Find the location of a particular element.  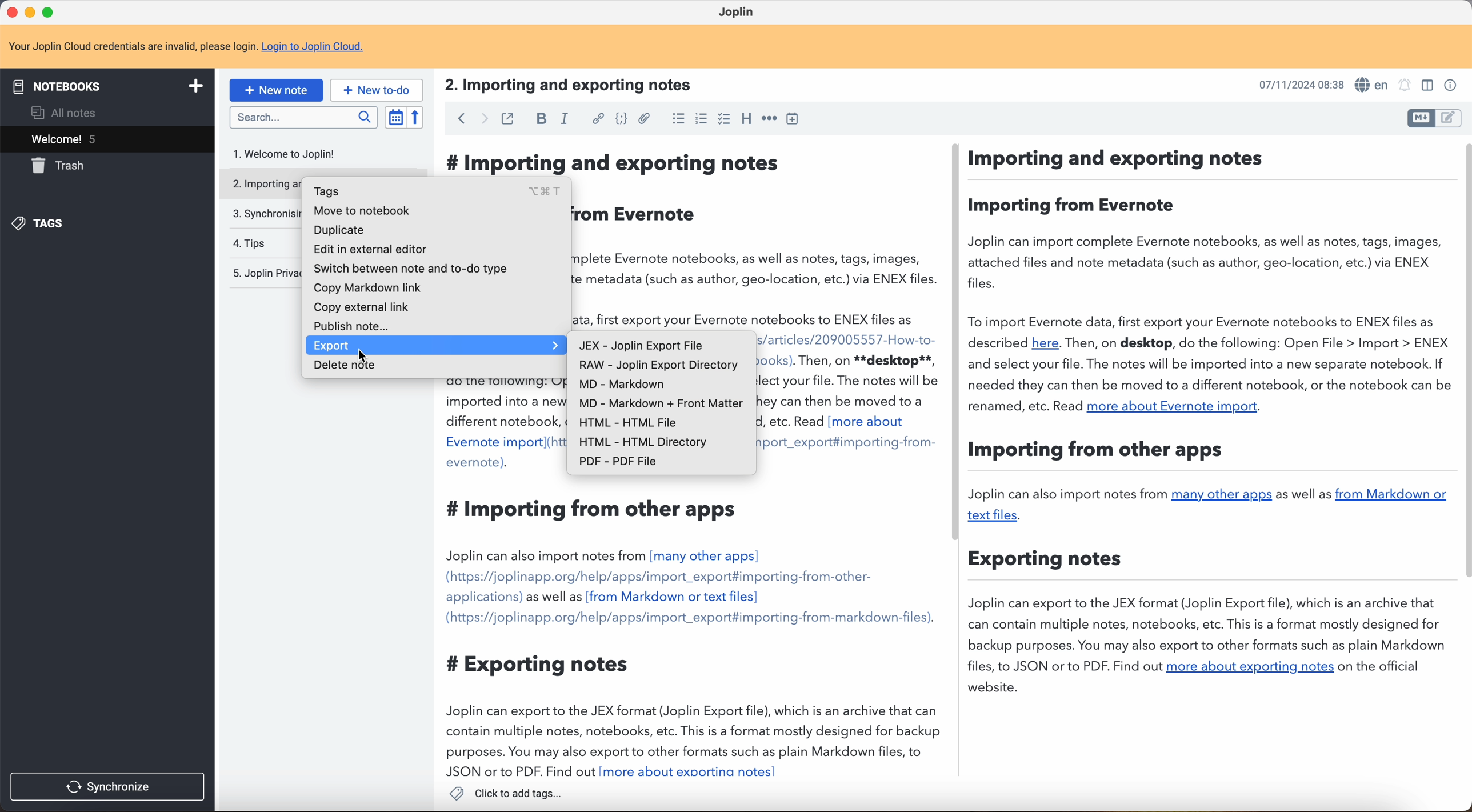

click on export is located at coordinates (466, 345).